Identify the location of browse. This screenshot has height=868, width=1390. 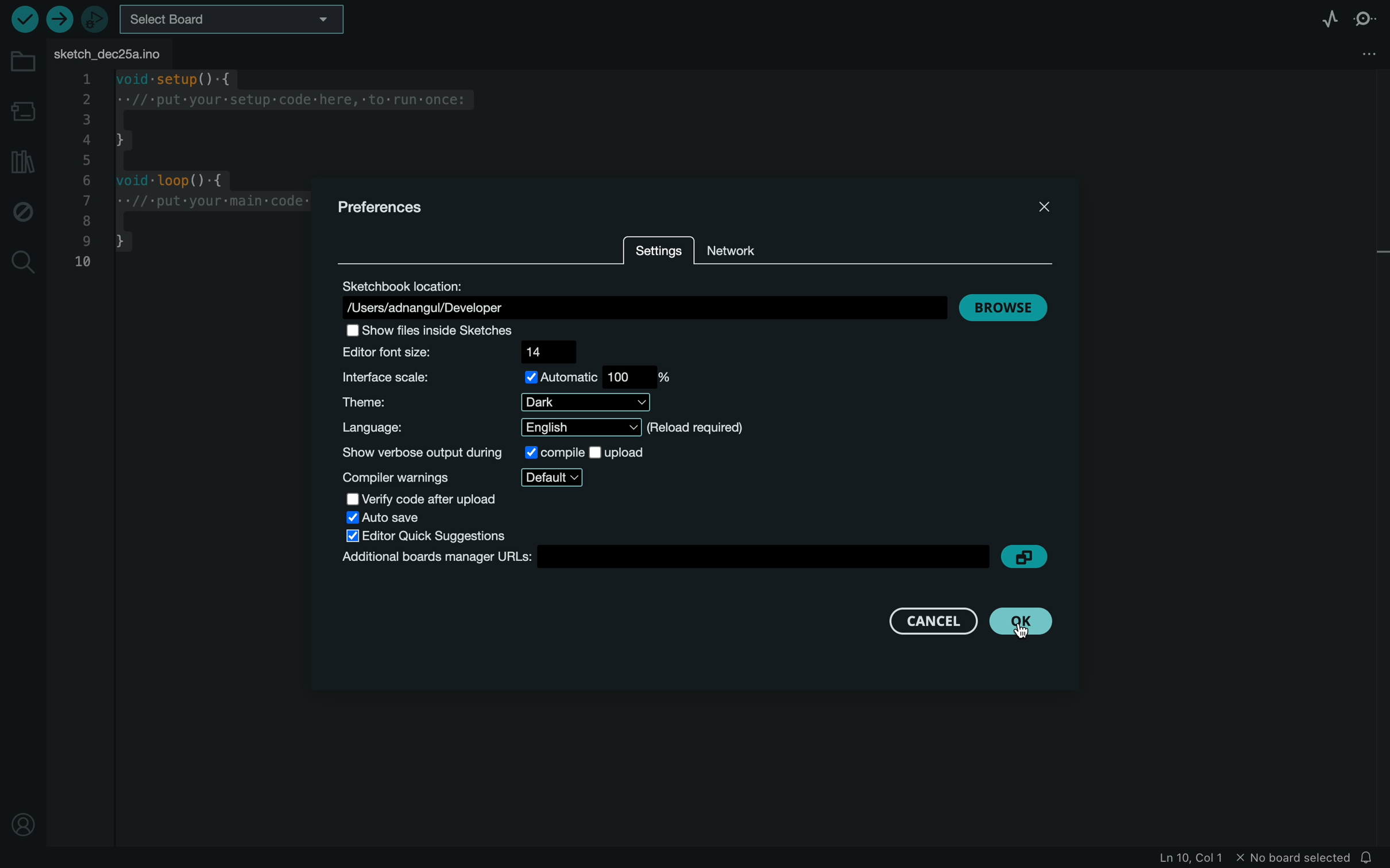
(1008, 304).